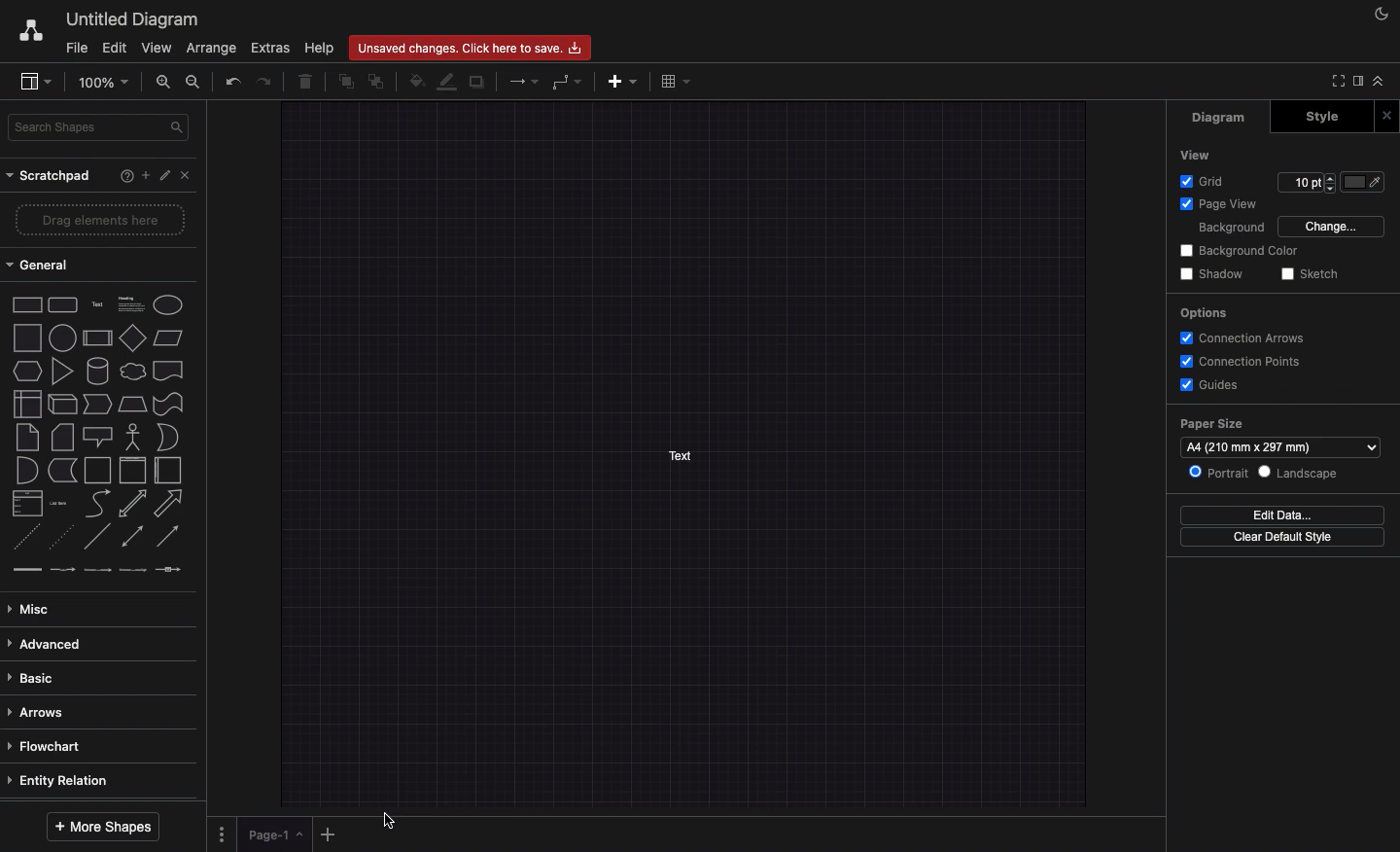 The height and width of the screenshot is (852, 1400). Describe the element at coordinates (51, 644) in the screenshot. I see `Advanced` at that location.